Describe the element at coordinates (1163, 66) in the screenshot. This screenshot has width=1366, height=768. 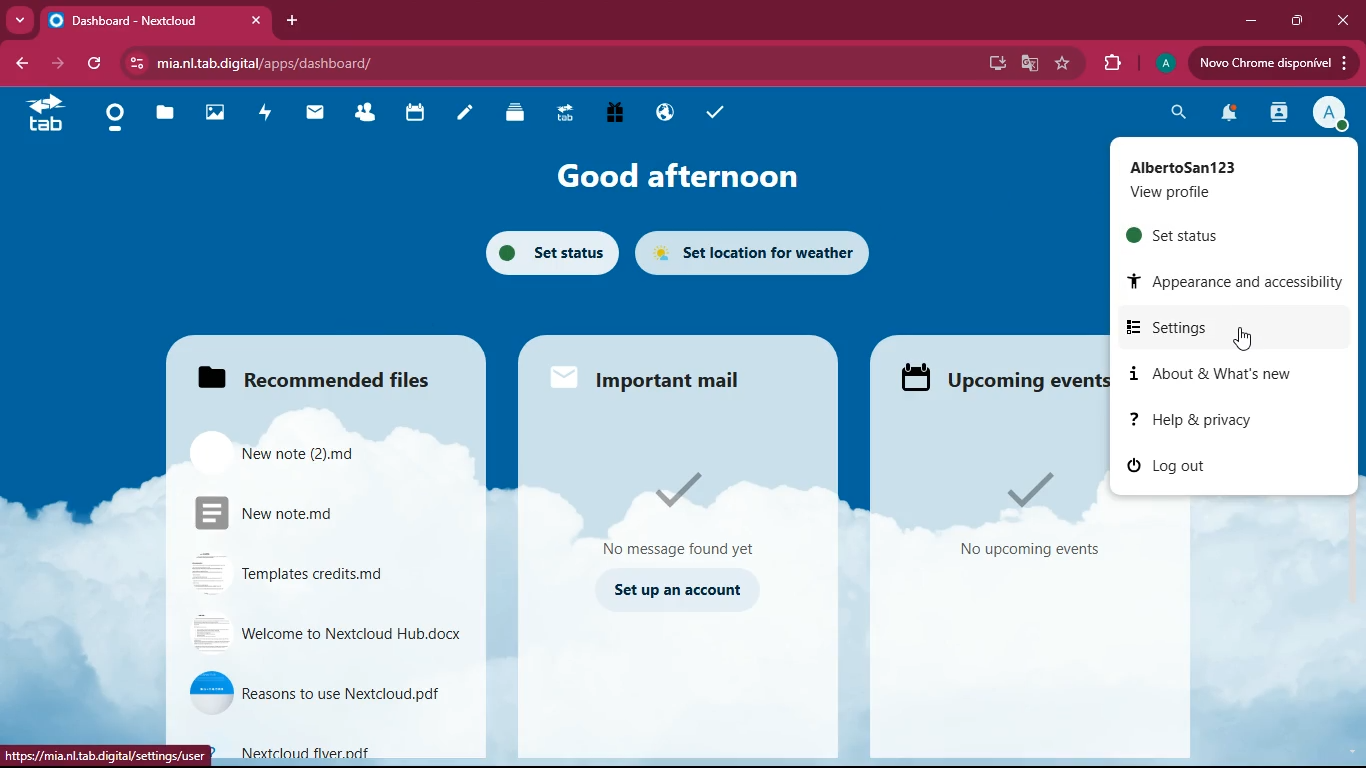
I see `profile` at that location.